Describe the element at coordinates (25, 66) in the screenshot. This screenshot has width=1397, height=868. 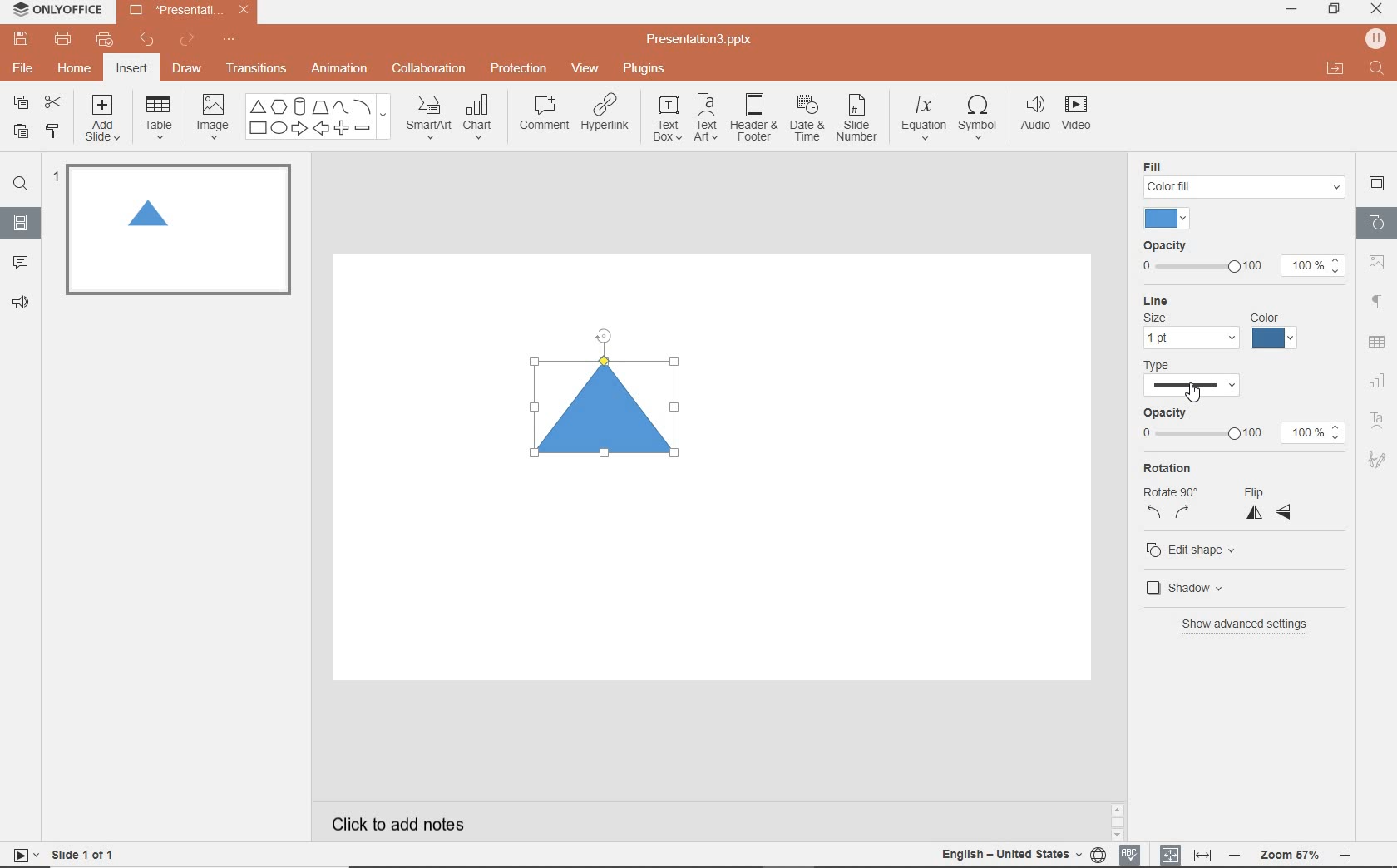
I see `FILE` at that location.